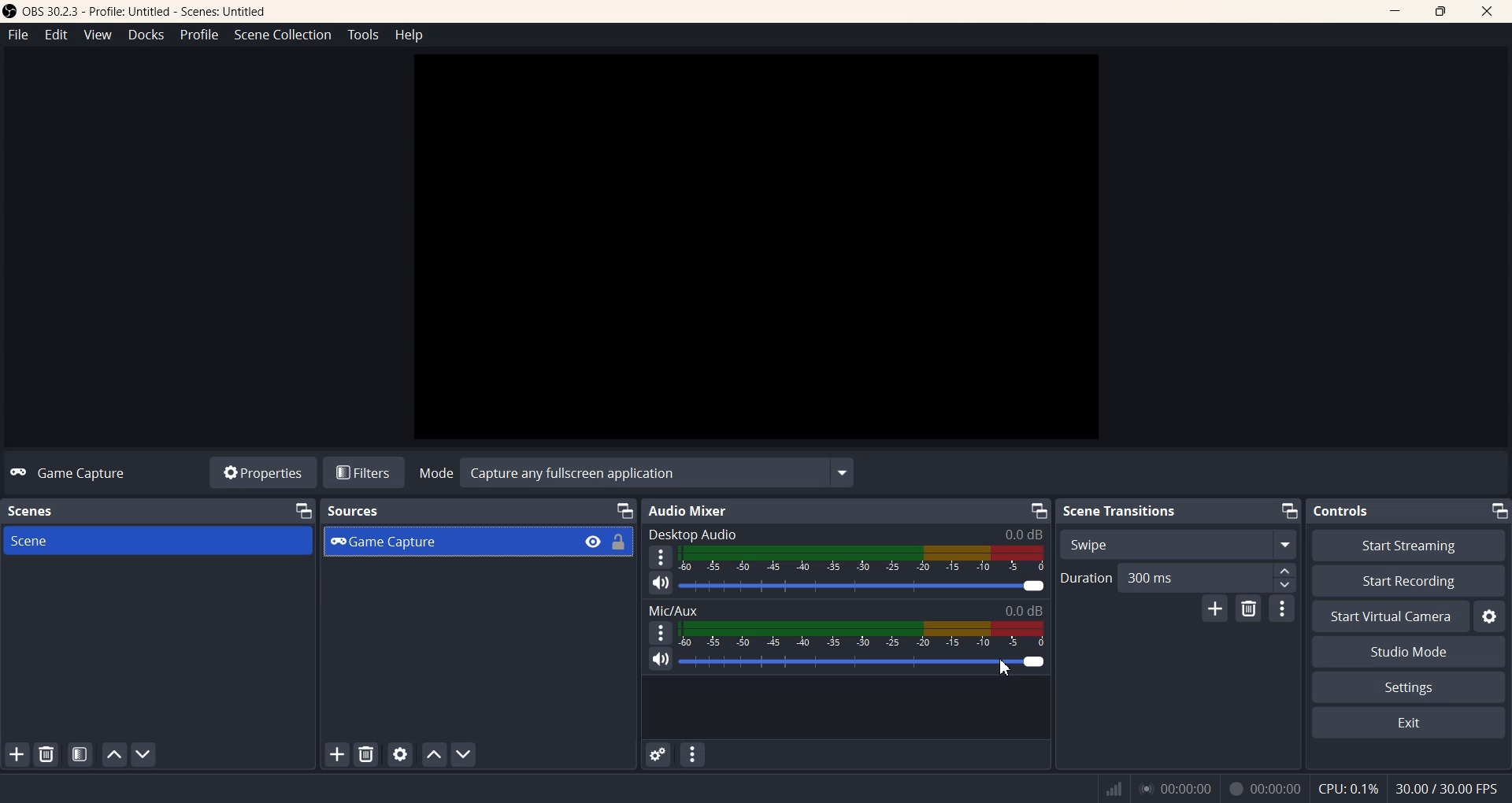 This screenshot has width=1512, height=803. What do you see at coordinates (1247, 609) in the screenshot?
I see `Remove Configurable transition` at bounding box center [1247, 609].